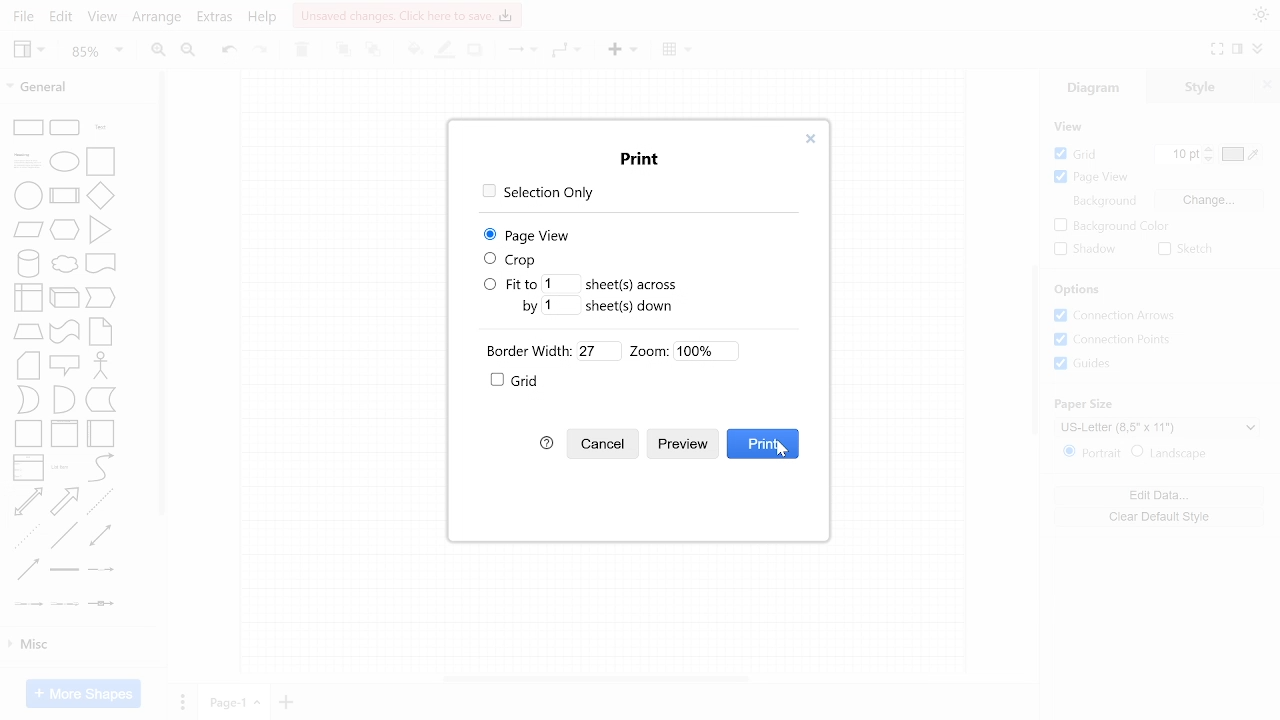 This screenshot has width=1280, height=720. What do you see at coordinates (1258, 48) in the screenshot?
I see `collapse` at bounding box center [1258, 48].